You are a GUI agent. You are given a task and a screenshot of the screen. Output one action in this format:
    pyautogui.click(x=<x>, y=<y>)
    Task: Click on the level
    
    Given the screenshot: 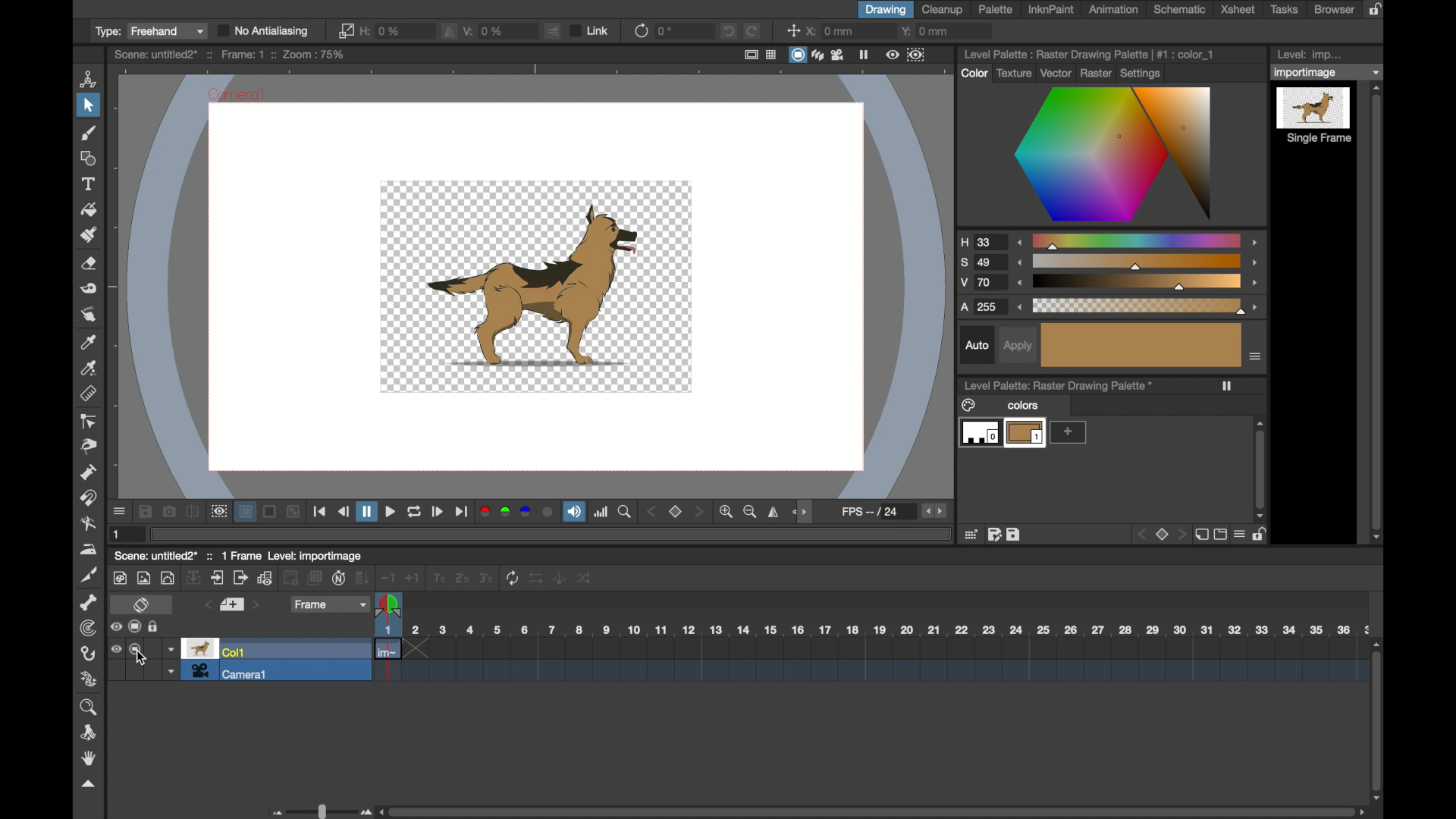 What is the action you would take?
    pyautogui.click(x=978, y=435)
    